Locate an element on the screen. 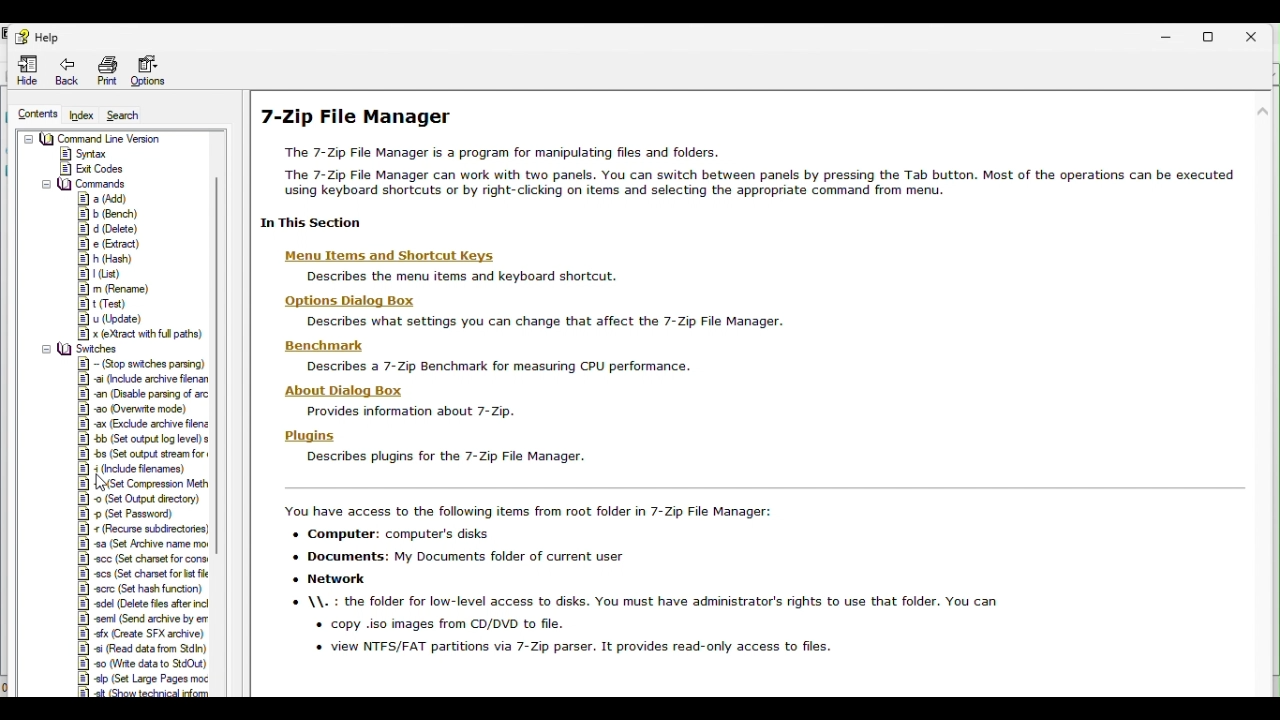 This screenshot has height=720, width=1280. Include archive file name is located at coordinates (146, 379).